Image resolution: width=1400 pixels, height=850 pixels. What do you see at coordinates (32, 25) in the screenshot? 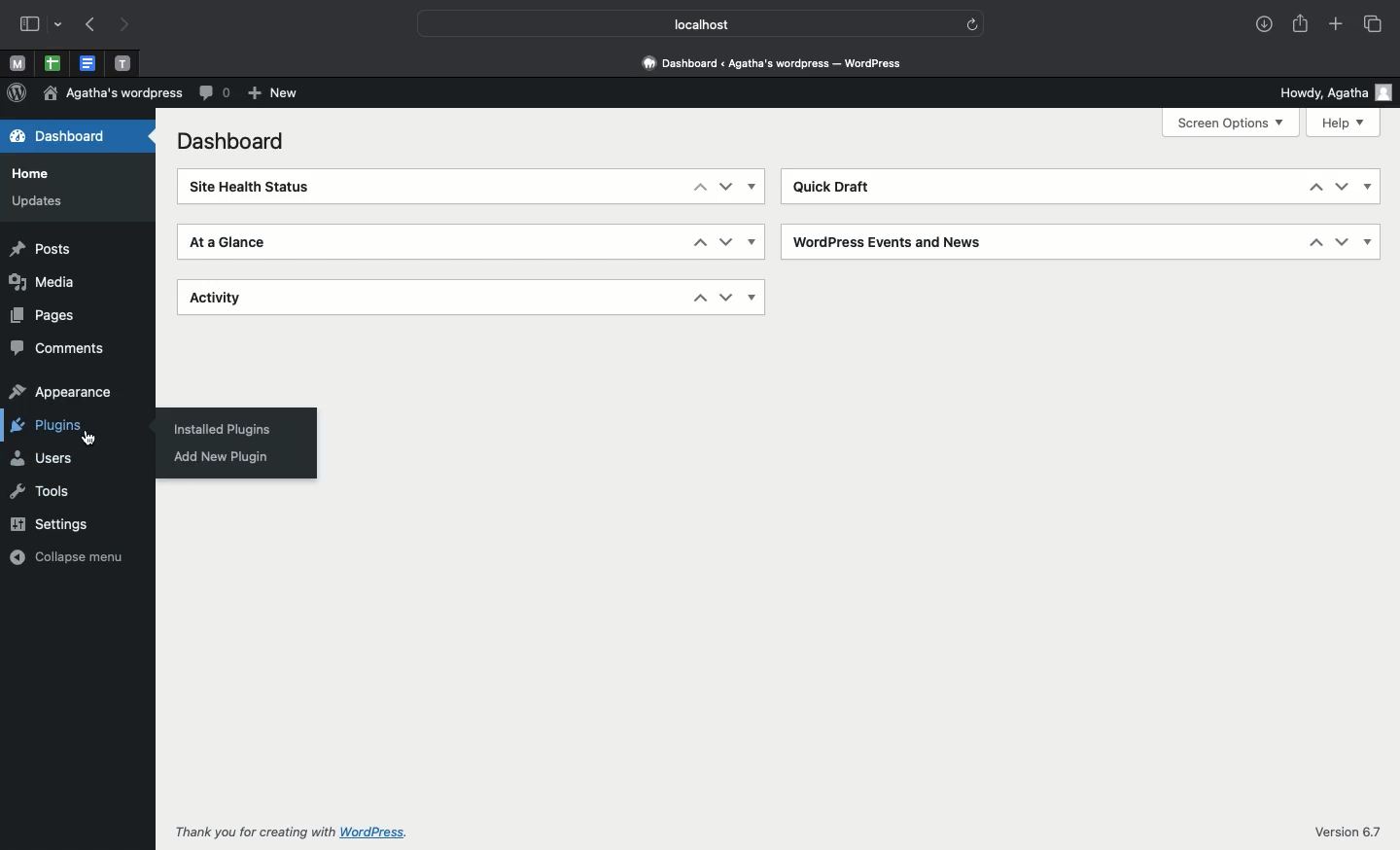
I see `Sidebar` at bounding box center [32, 25].